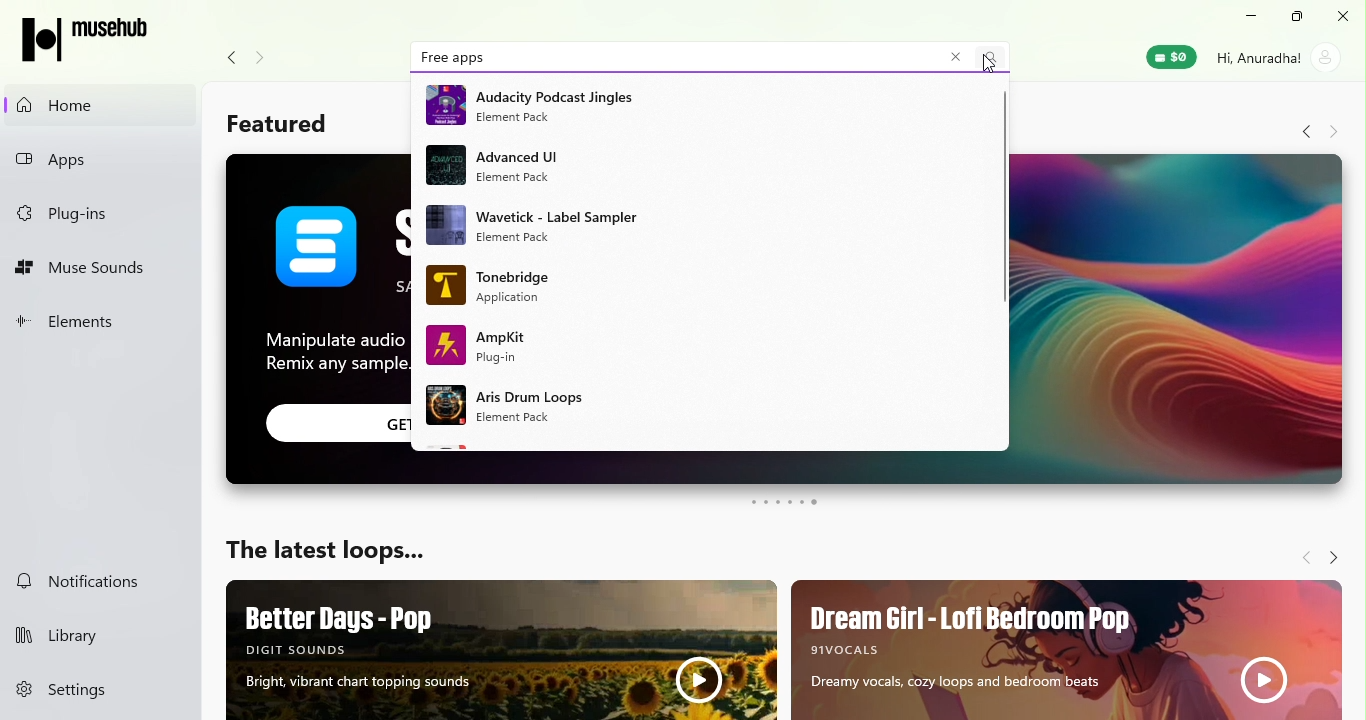  What do you see at coordinates (267, 59) in the screenshot?
I see `Navigate forward` at bounding box center [267, 59].